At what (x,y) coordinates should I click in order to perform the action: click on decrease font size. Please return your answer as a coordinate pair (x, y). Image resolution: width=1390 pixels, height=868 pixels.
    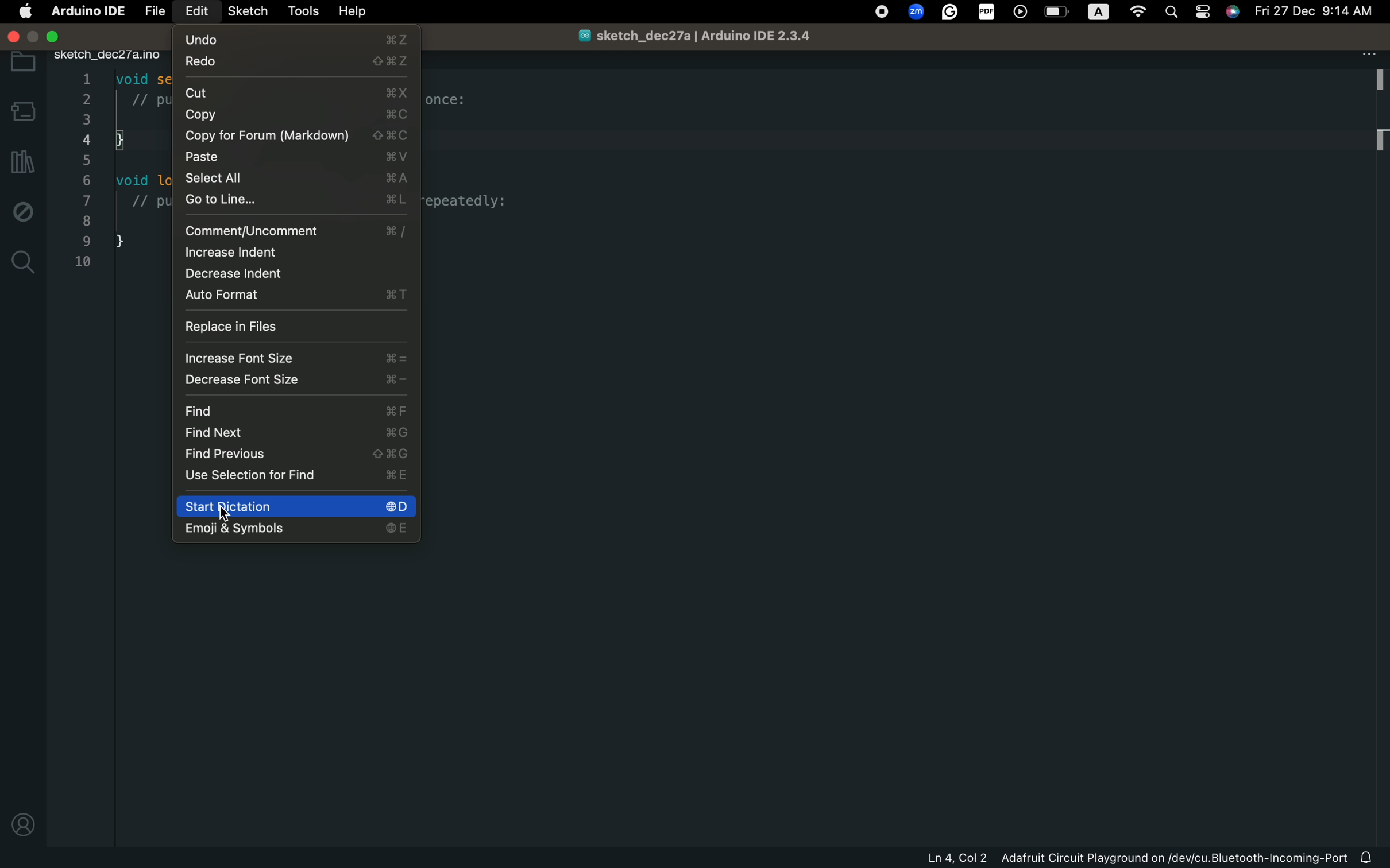
    Looking at the image, I should click on (292, 381).